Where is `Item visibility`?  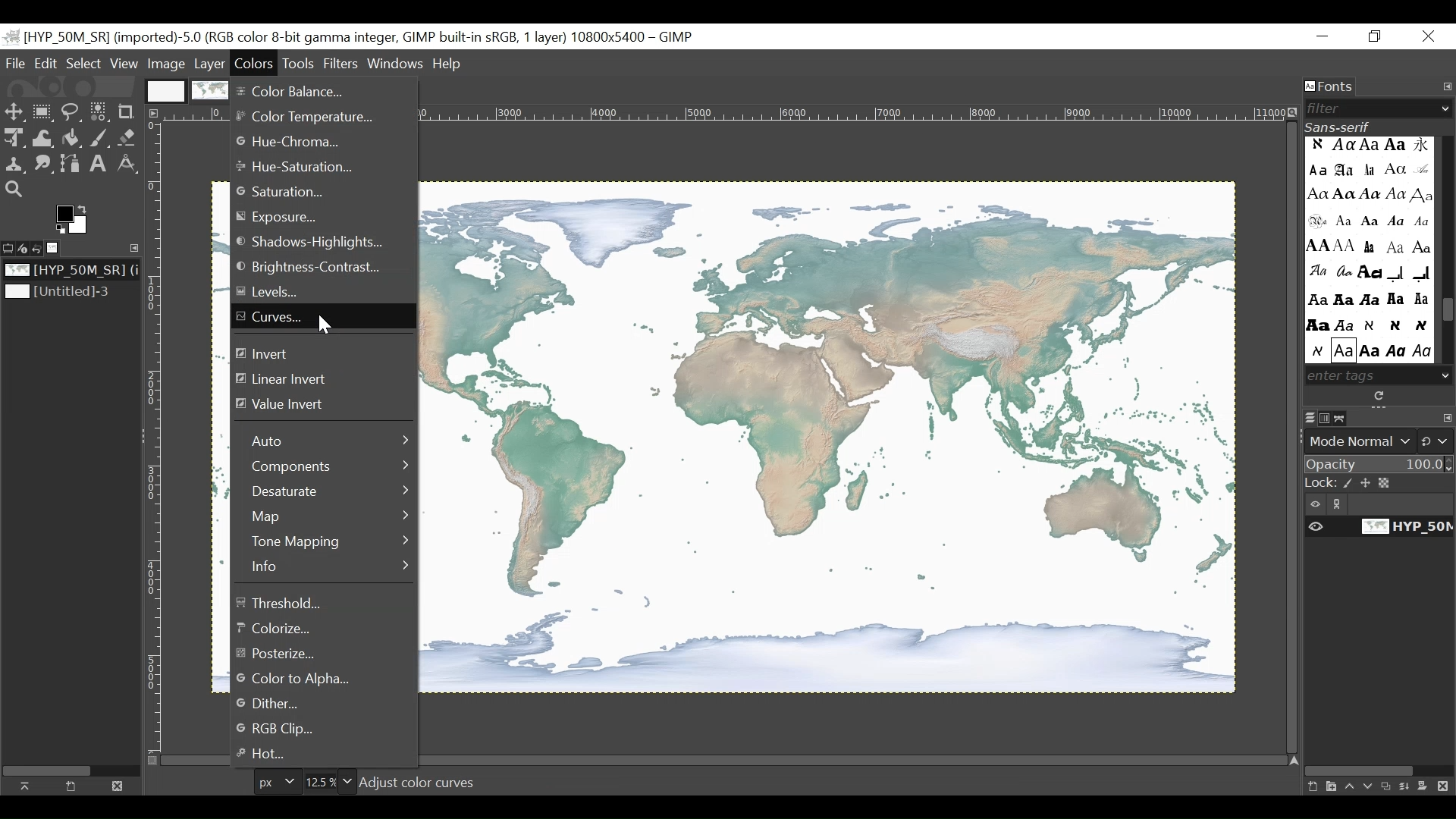 Item visibility is located at coordinates (1379, 504).